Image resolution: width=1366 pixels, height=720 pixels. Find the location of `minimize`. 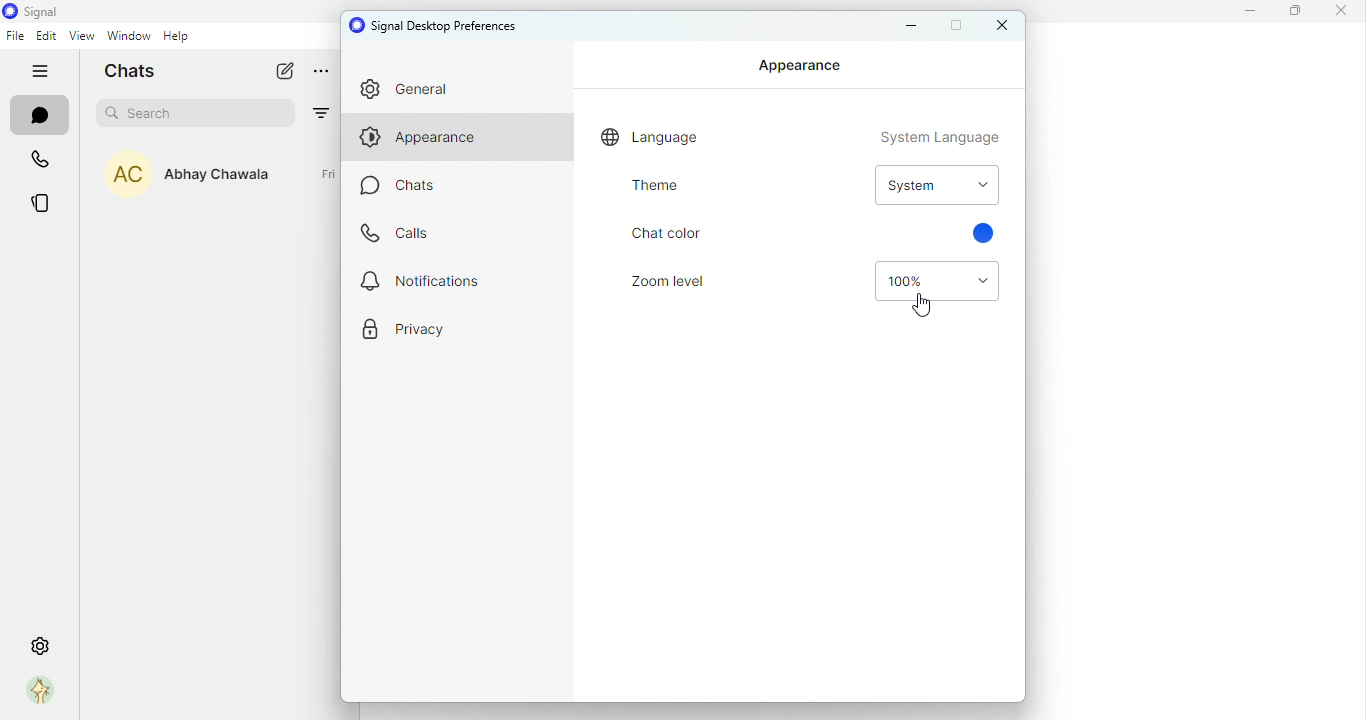

minimize is located at coordinates (1247, 14).